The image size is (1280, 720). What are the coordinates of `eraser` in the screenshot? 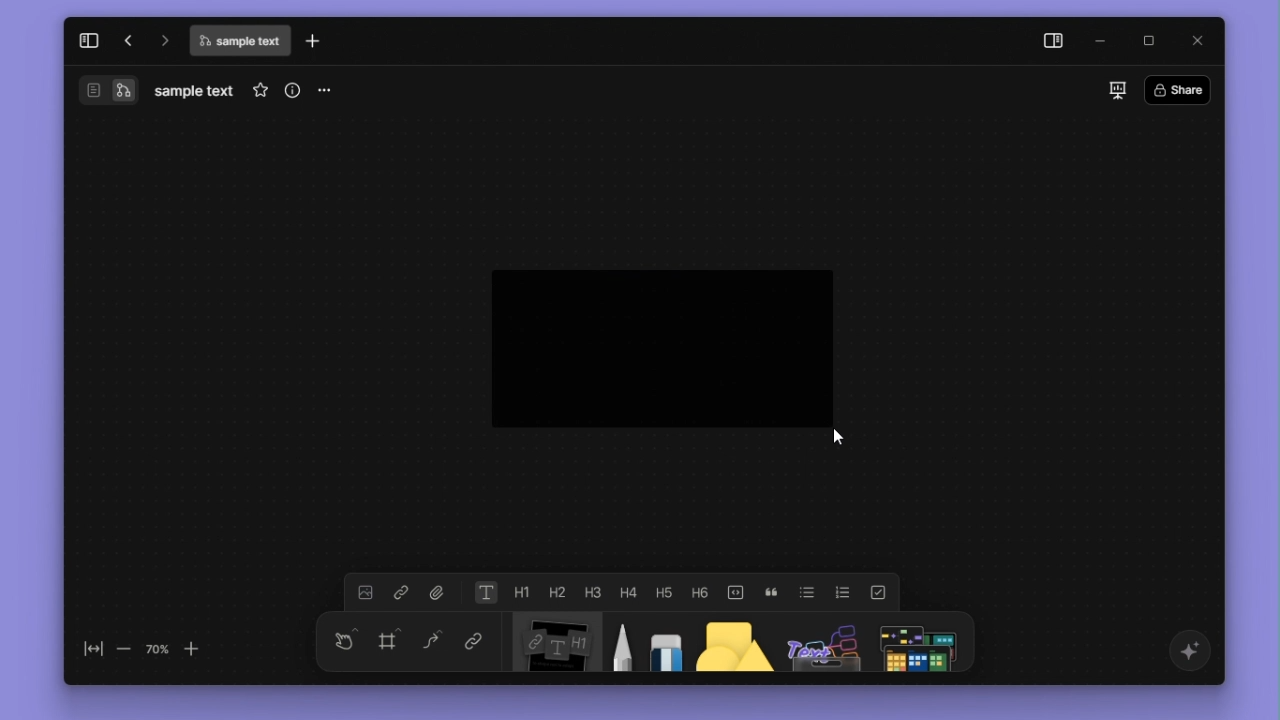 It's located at (662, 643).